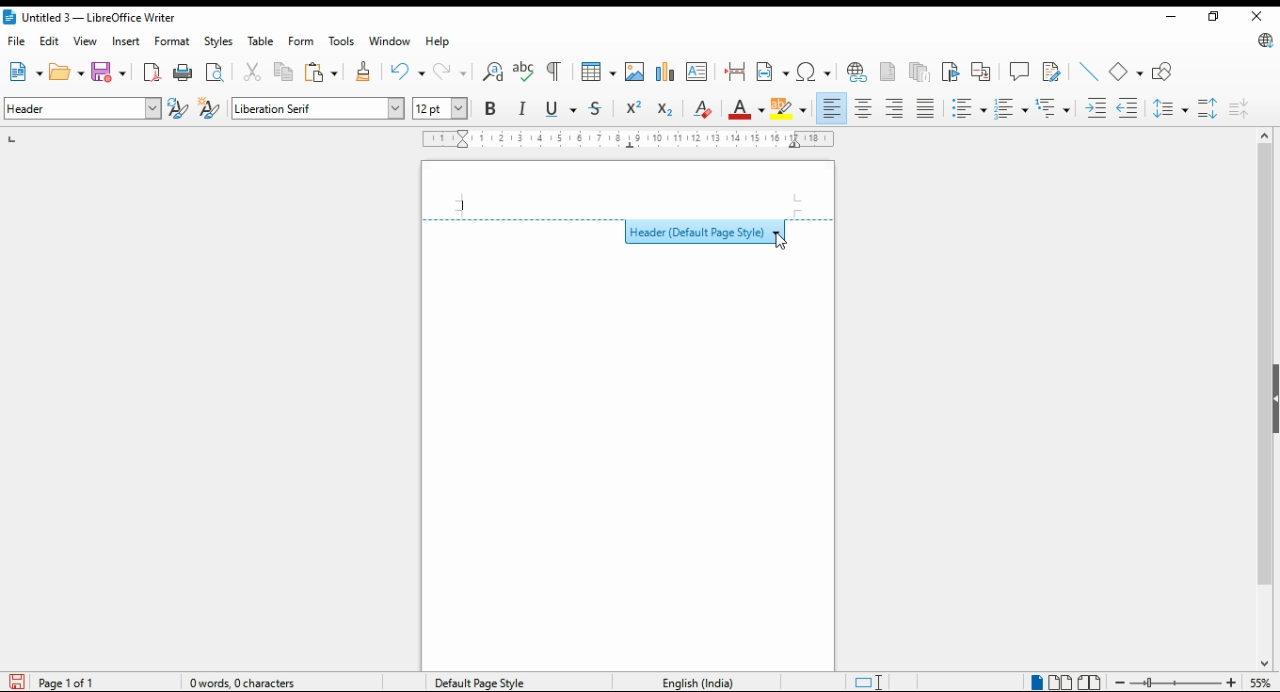 The height and width of the screenshot is (692, 1280). Describe the element at coordinates (952, 72) in the screenshot. I see `insert bookmark` at that location.